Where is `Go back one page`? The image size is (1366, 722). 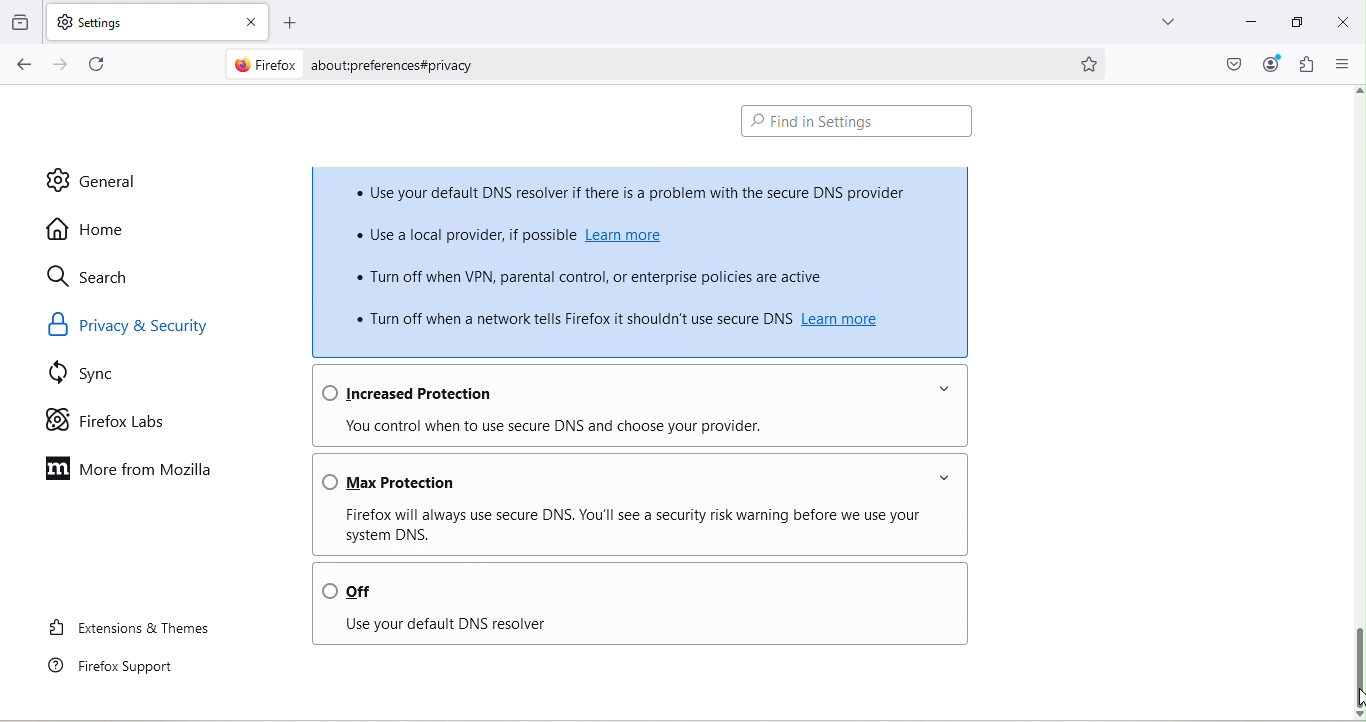 Go back one page is located at coordinates (21, 65).